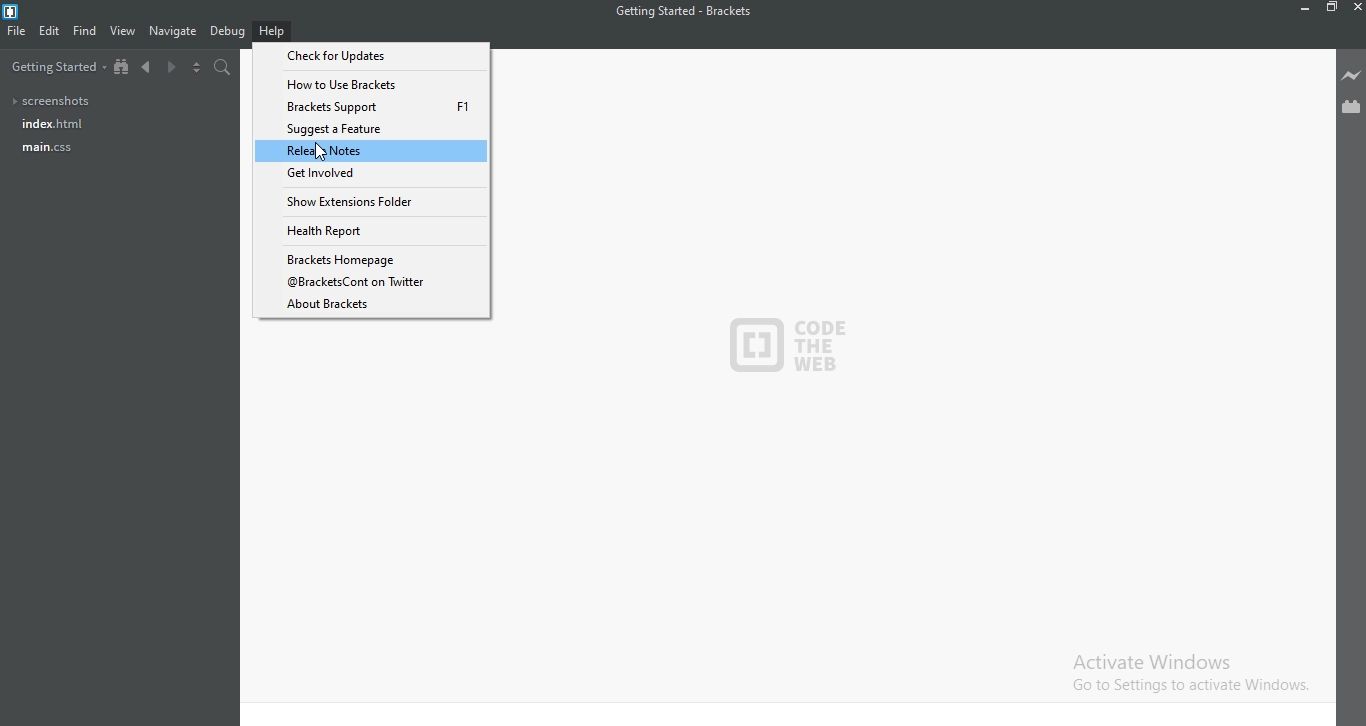  What do you see at coordinates (60, 103) in the screenshot?
I see `Screenshots` at bounding box center [60, 103].